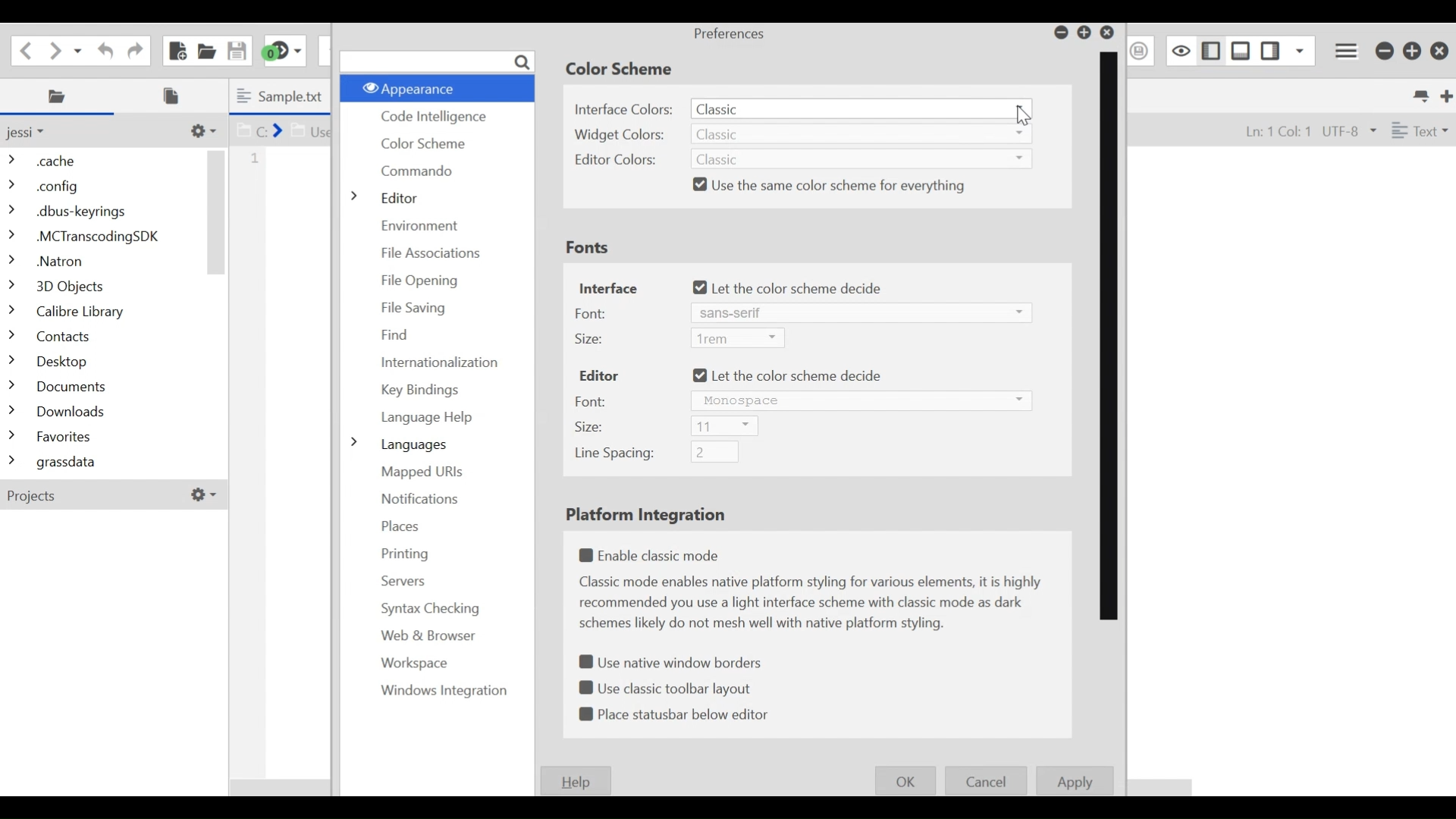 Image resolution: width=1456 pixels, height=819 pixels. Describe the element at coordinates (284, 129) in the screenshot. I see `Show in location` at that location.